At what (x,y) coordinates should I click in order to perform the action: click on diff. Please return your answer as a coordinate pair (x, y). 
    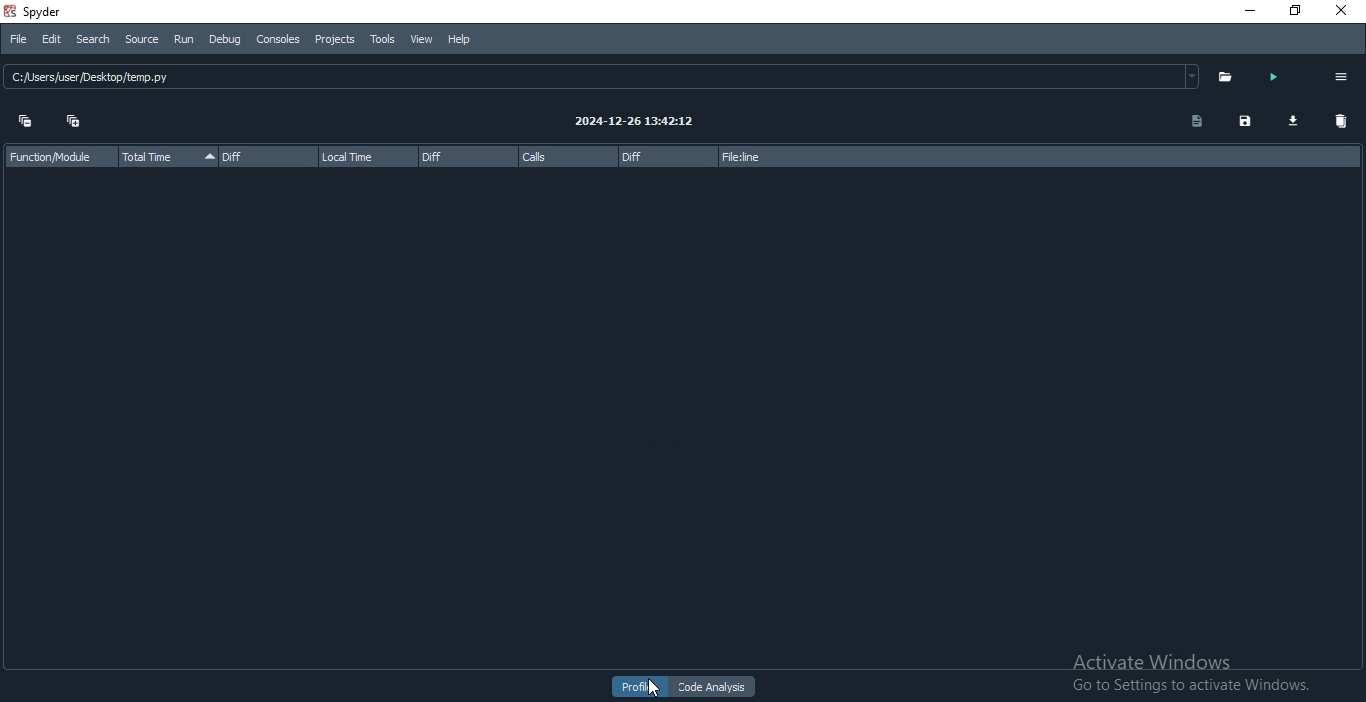
    Looking at the image, I should click on (466, 155).